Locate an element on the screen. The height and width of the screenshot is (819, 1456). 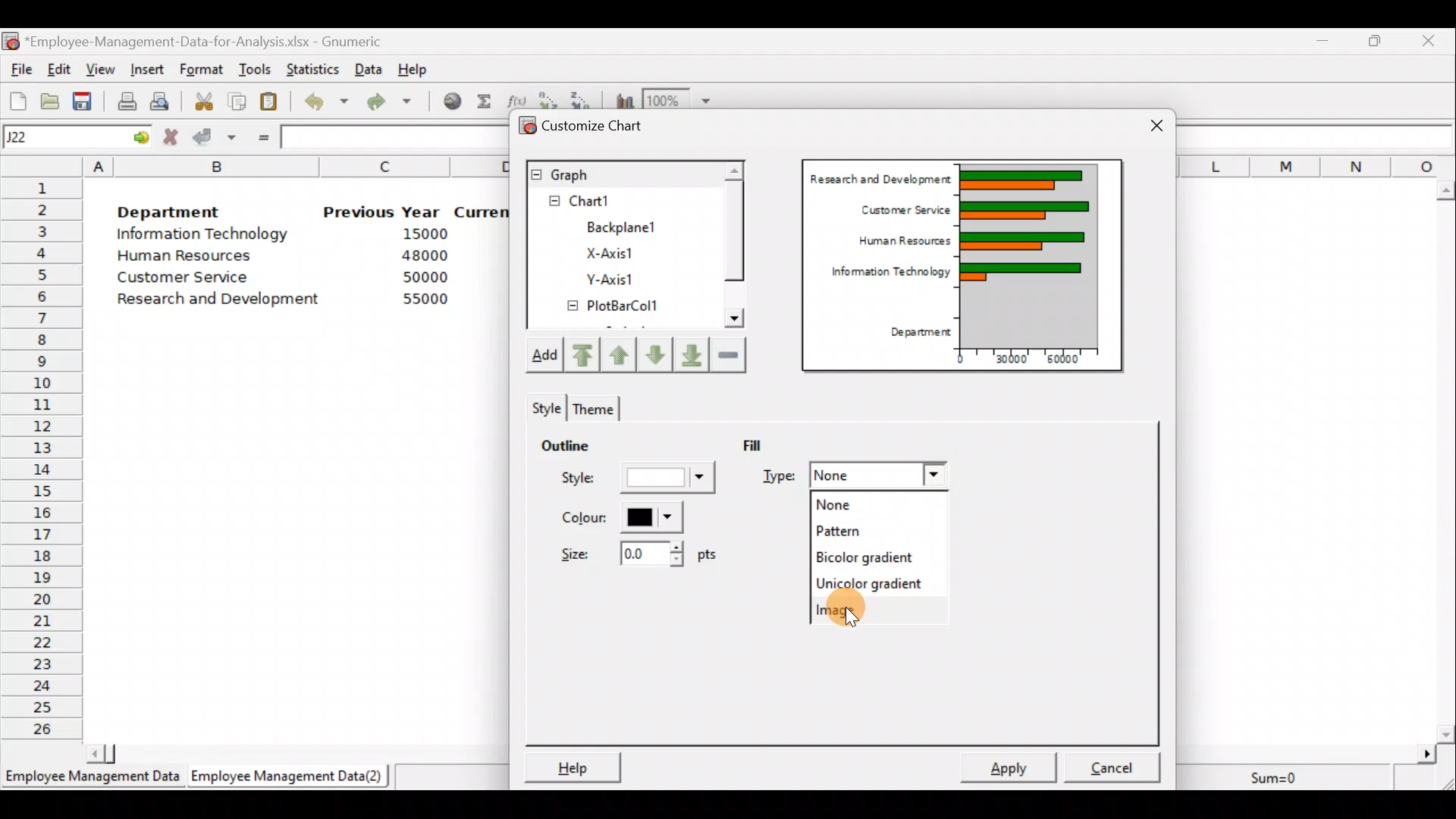
0 is located at coordinates (959, 358).